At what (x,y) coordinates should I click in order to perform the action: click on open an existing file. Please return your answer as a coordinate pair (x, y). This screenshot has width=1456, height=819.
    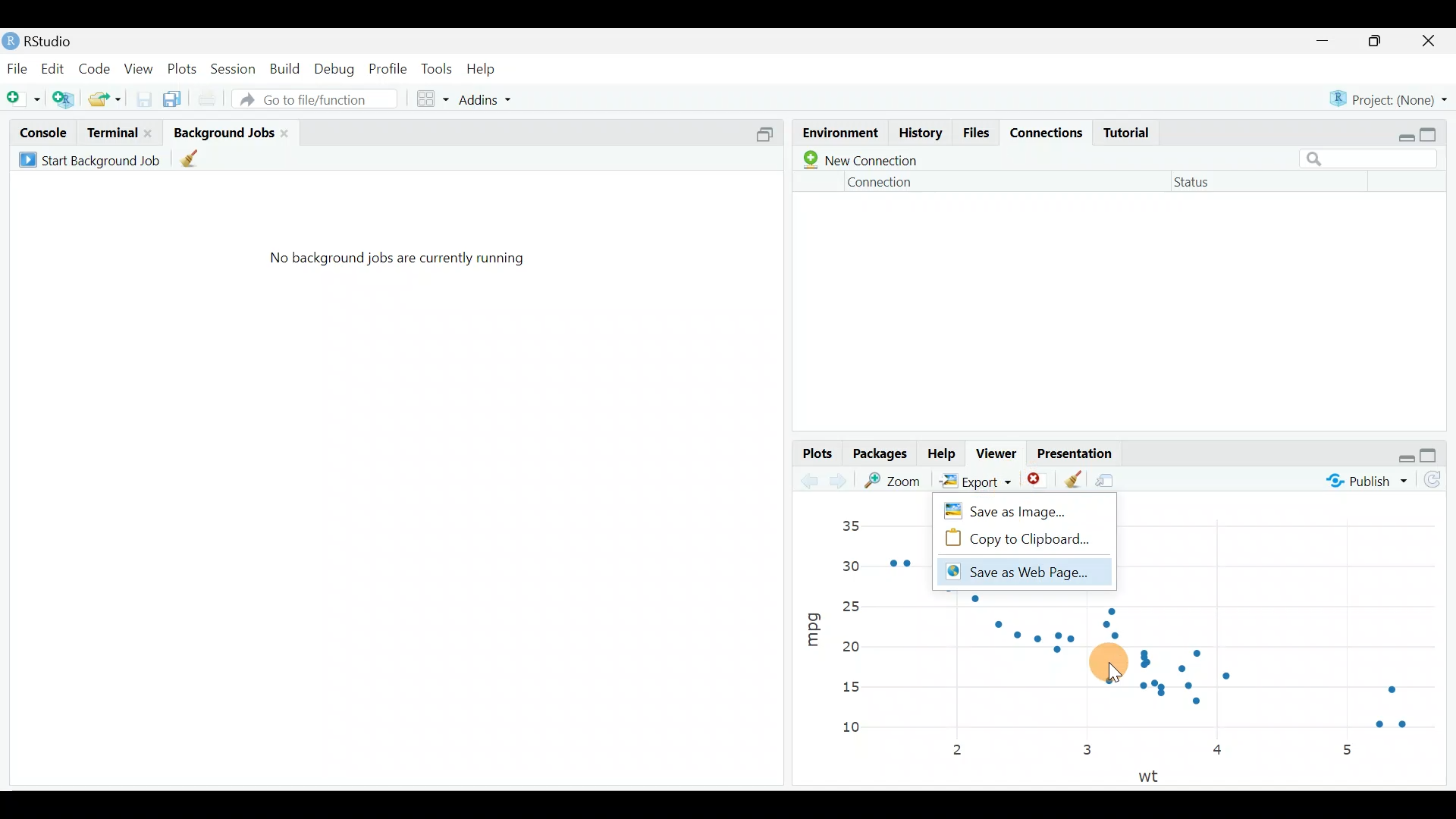
    Looking at the image, I should click on (106, 96).